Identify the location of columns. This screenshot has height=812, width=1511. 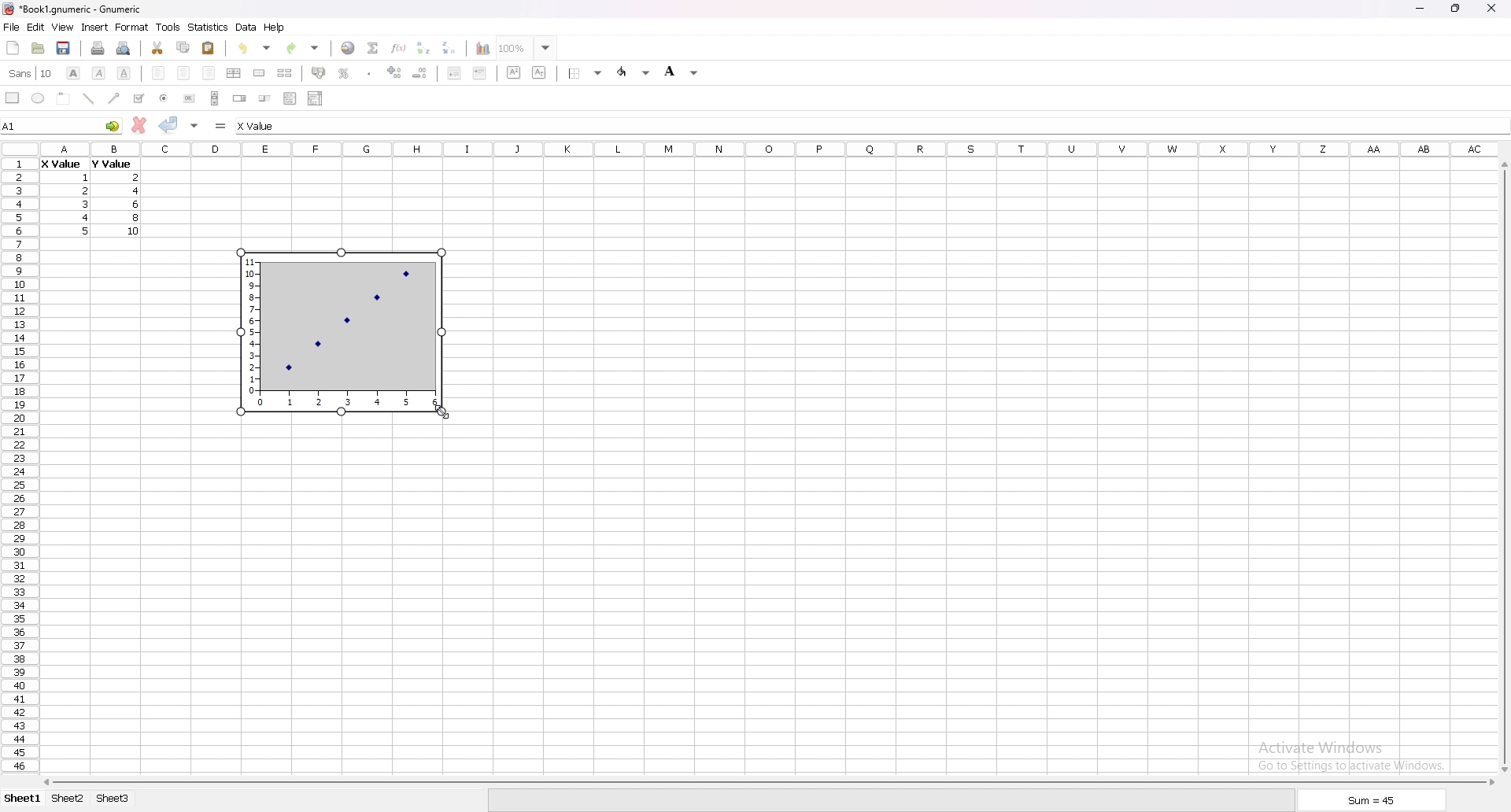
(770, 147).